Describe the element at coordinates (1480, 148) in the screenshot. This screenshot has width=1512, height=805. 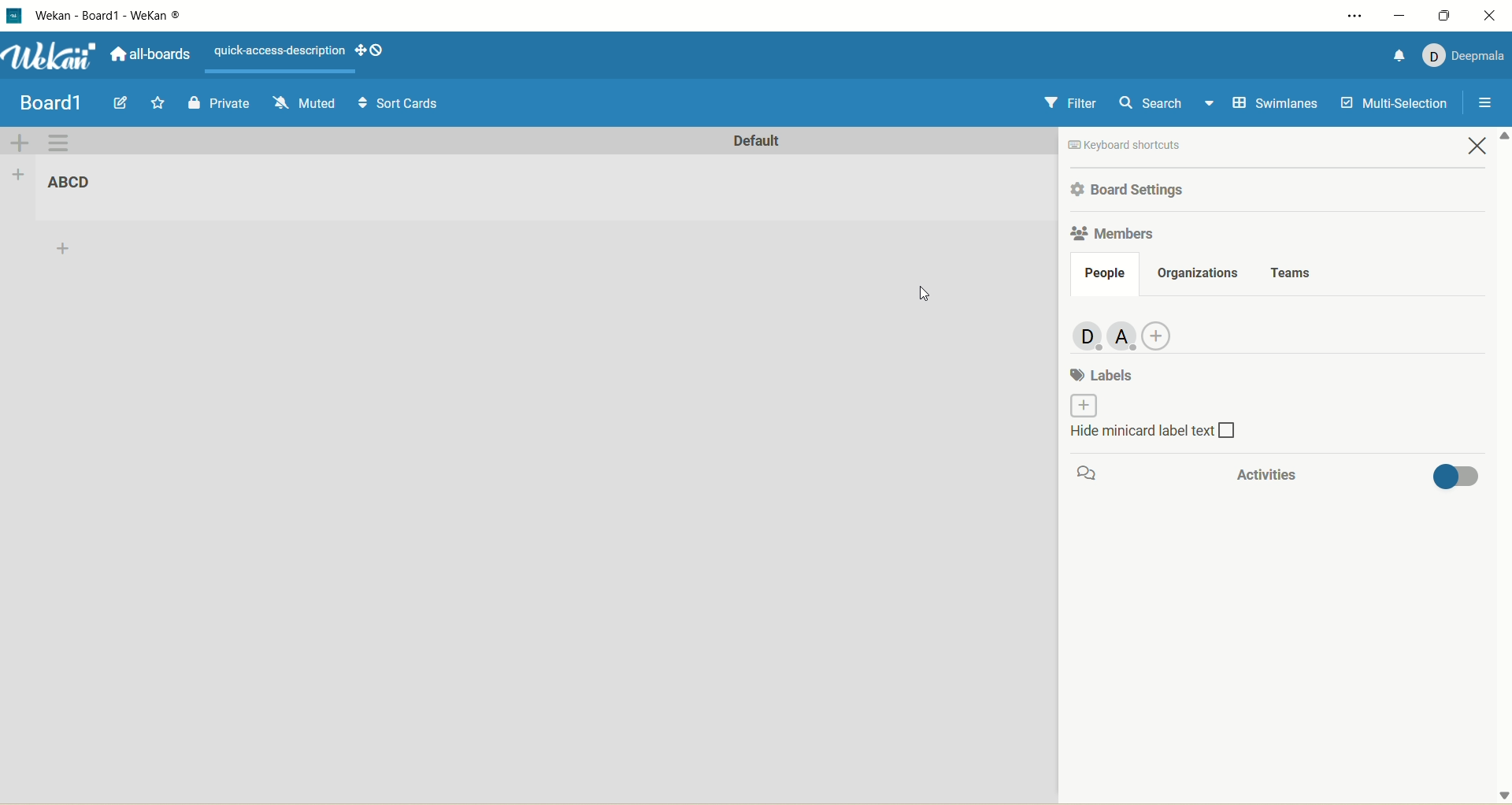
I see `close` at that location.